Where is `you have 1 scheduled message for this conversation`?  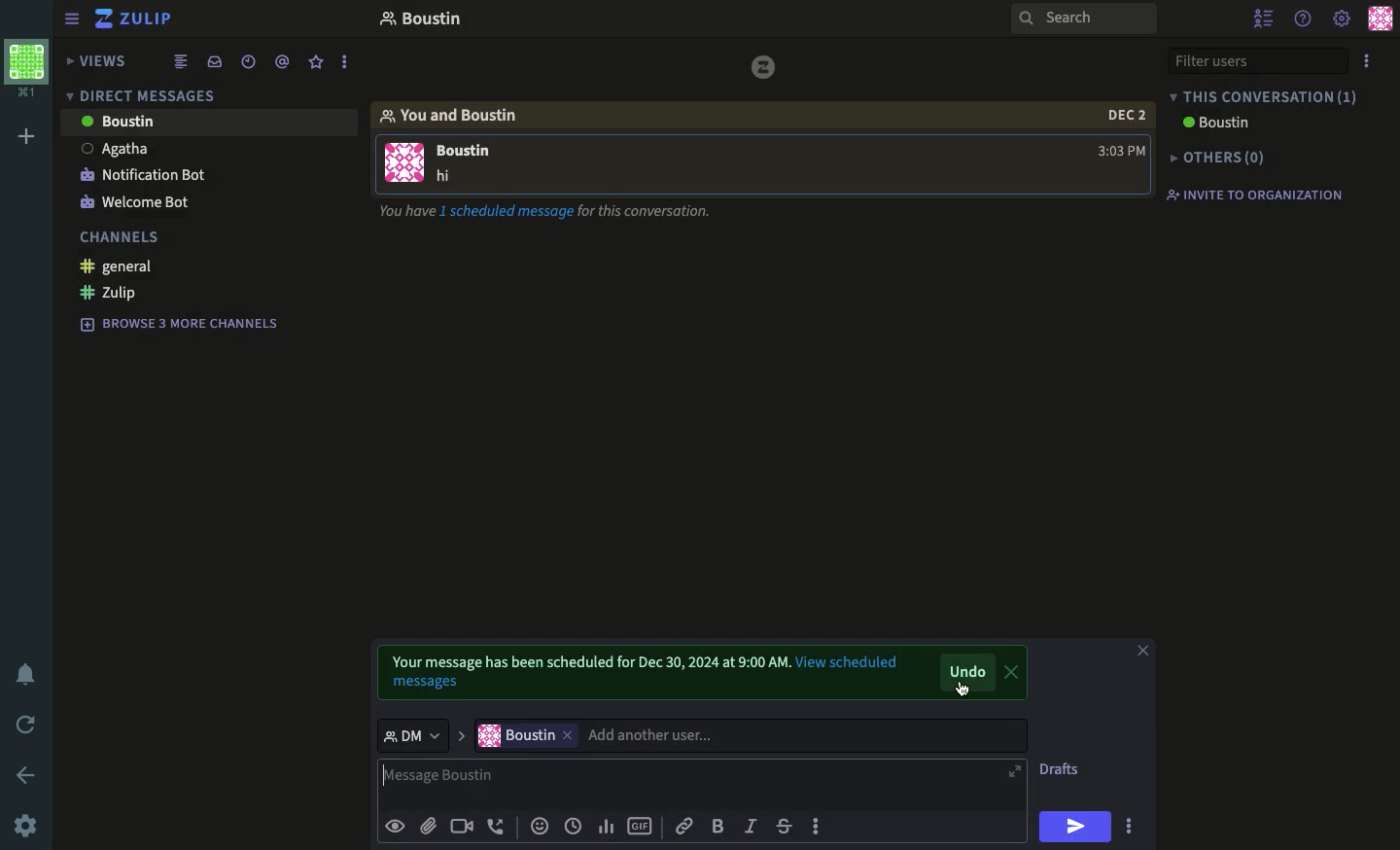
you have 1 scheduled message for this conversation is located at coordinates (542, 210).